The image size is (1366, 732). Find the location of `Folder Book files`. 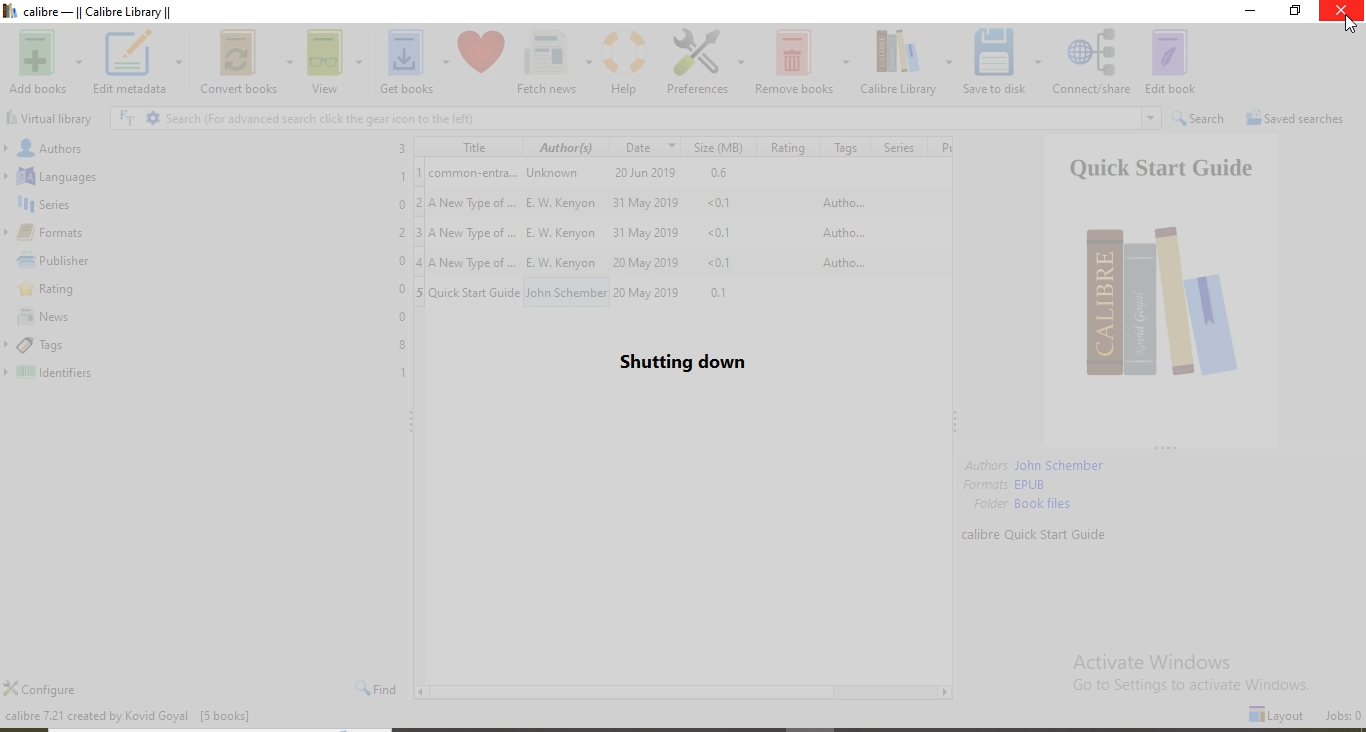

Folder Book files is located at coordinates (1023, 504).